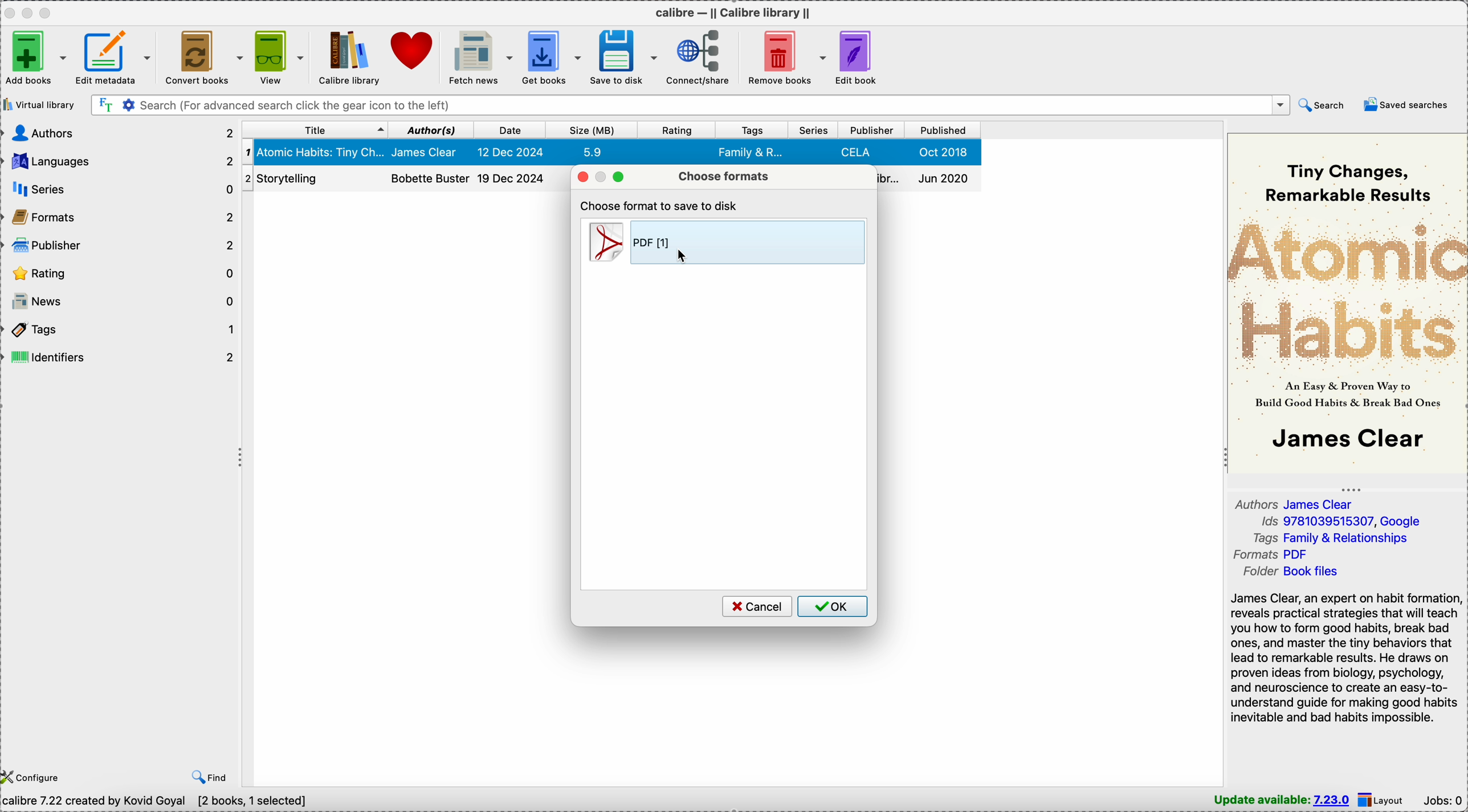  Describe the element at coordinates (1341, 521) in the screenshot. I see `Ids 9781039515307, Google` at that location.